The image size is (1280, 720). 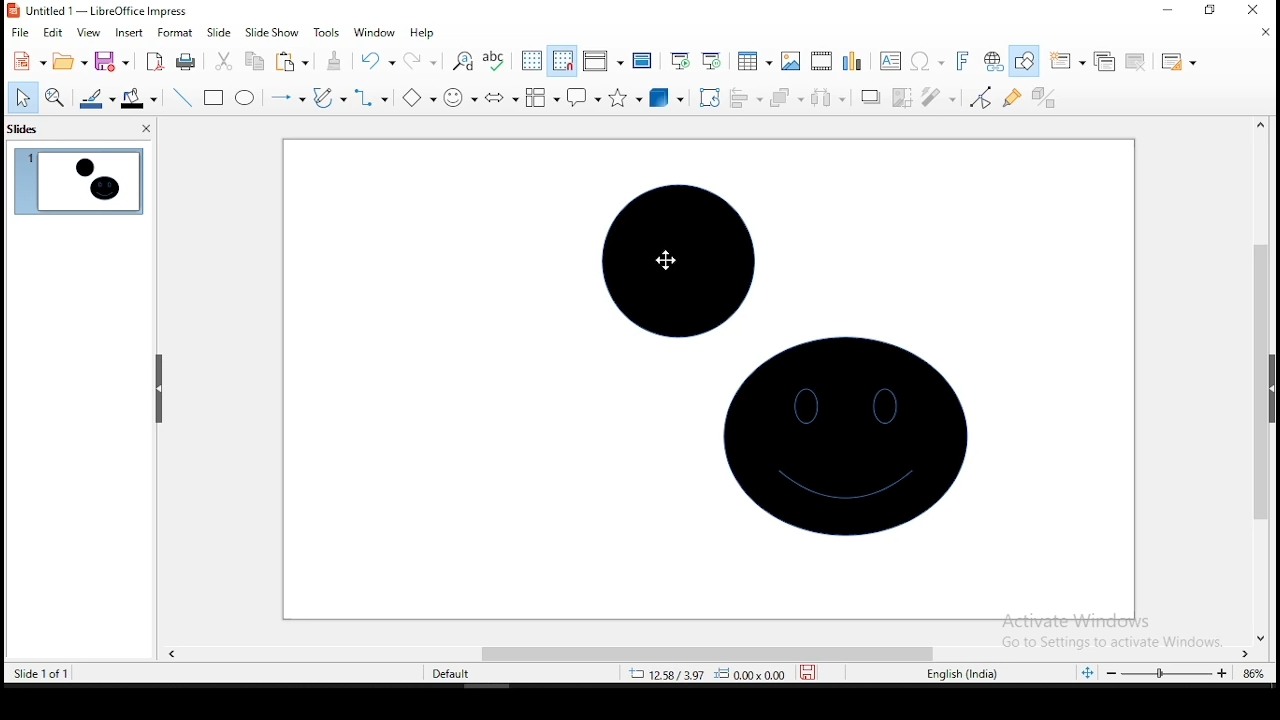 I want to click on show draw functions, so click(x=1028, y=61).